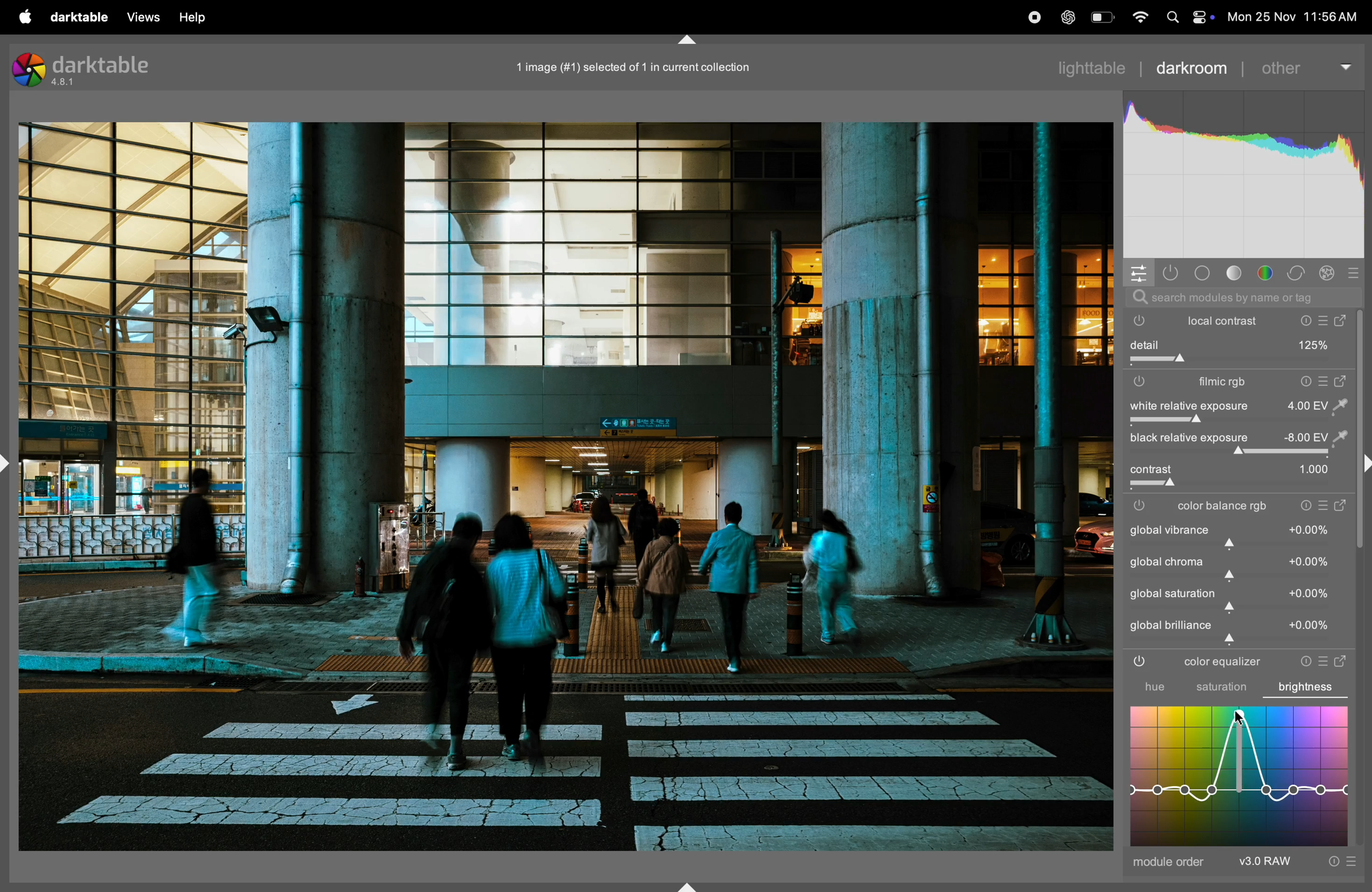 This screenshot has height=892, width=1372. I want to click on slider, so click(1240, 421).